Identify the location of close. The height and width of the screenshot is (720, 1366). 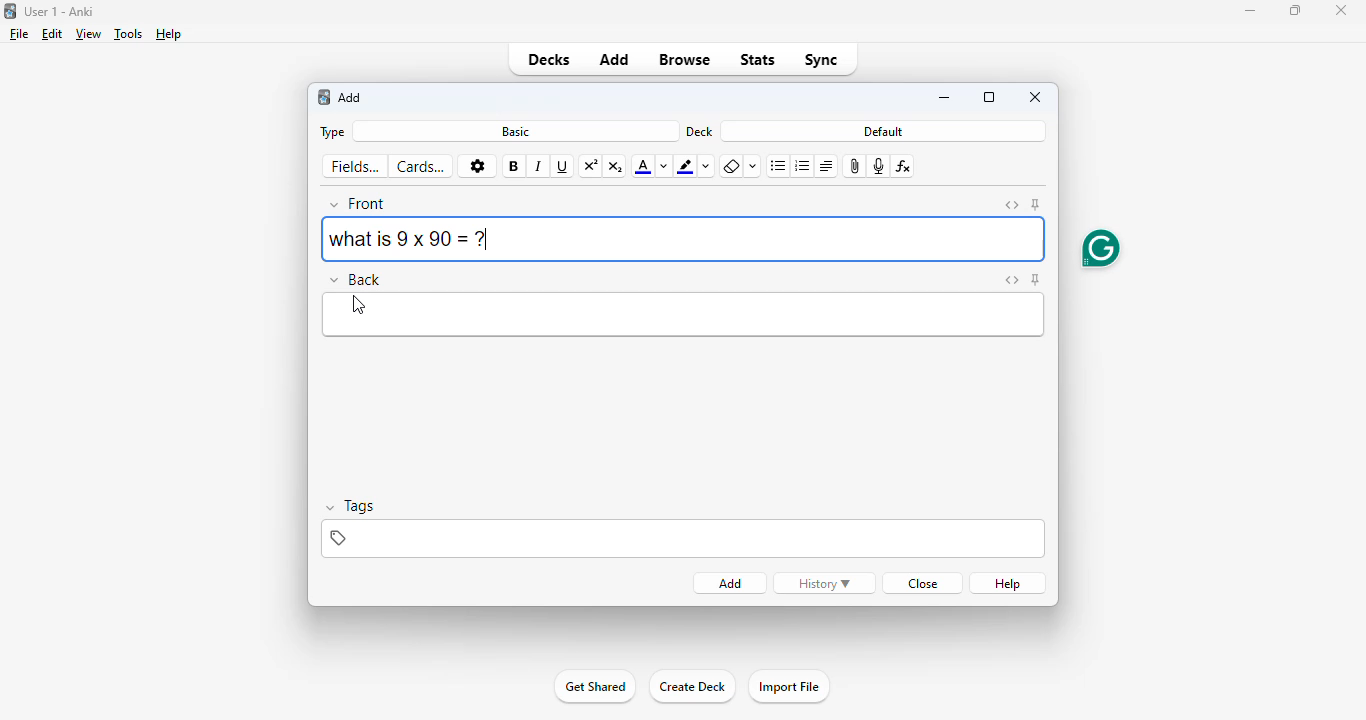
(1341, 10).